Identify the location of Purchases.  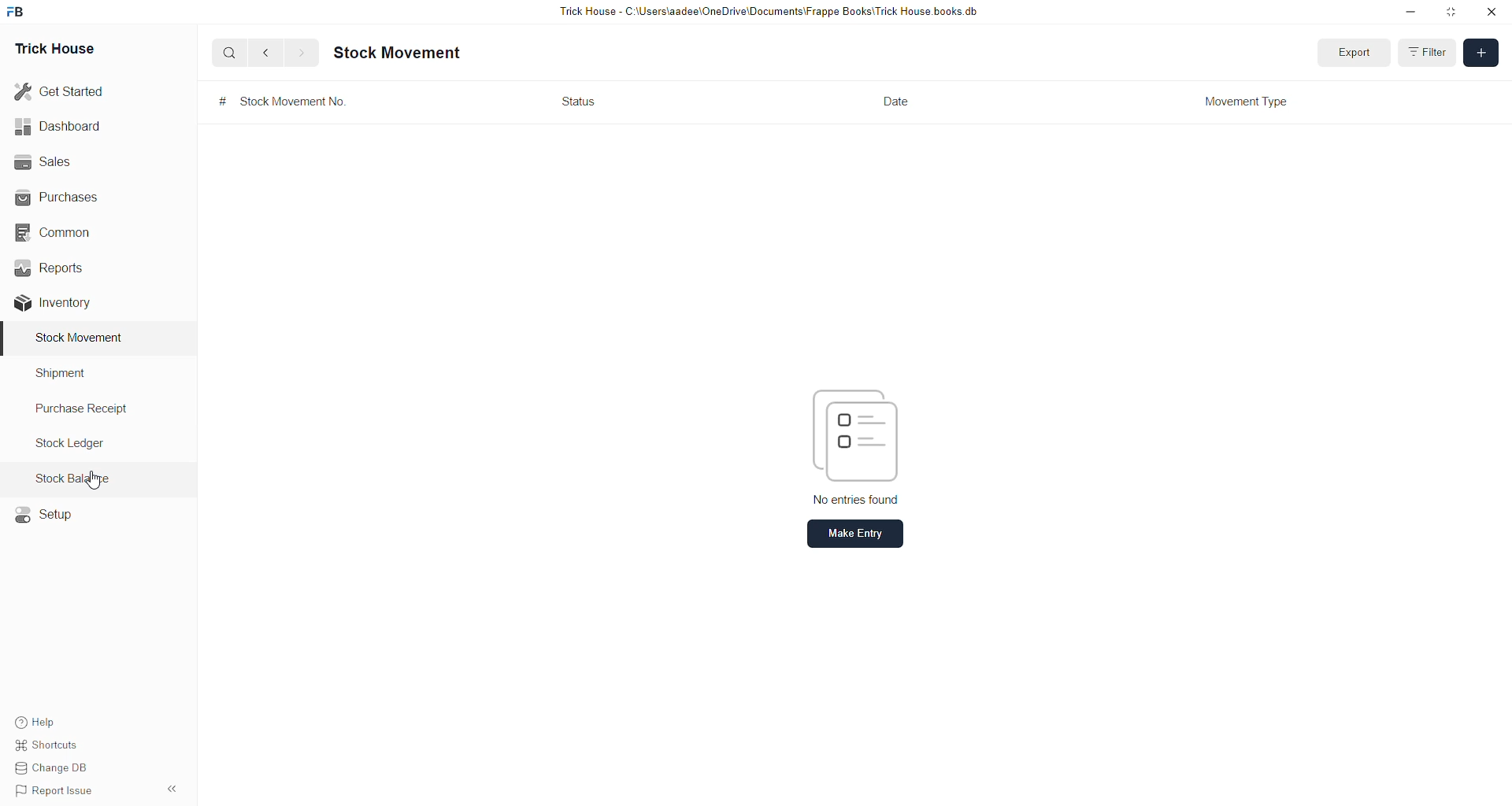
(72, 195).